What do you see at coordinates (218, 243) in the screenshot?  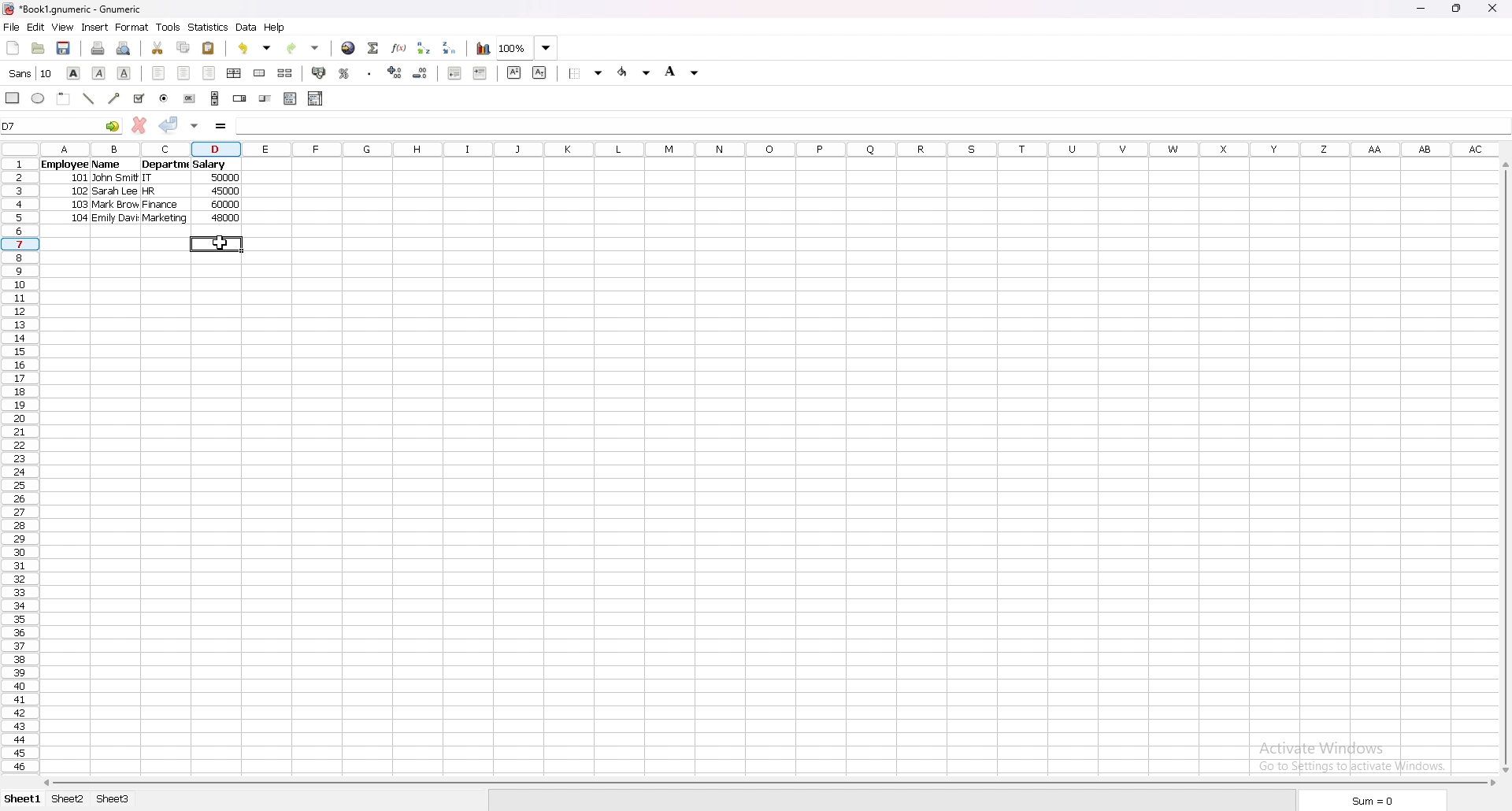 I see `cursor` at bounding box center [218, 243].